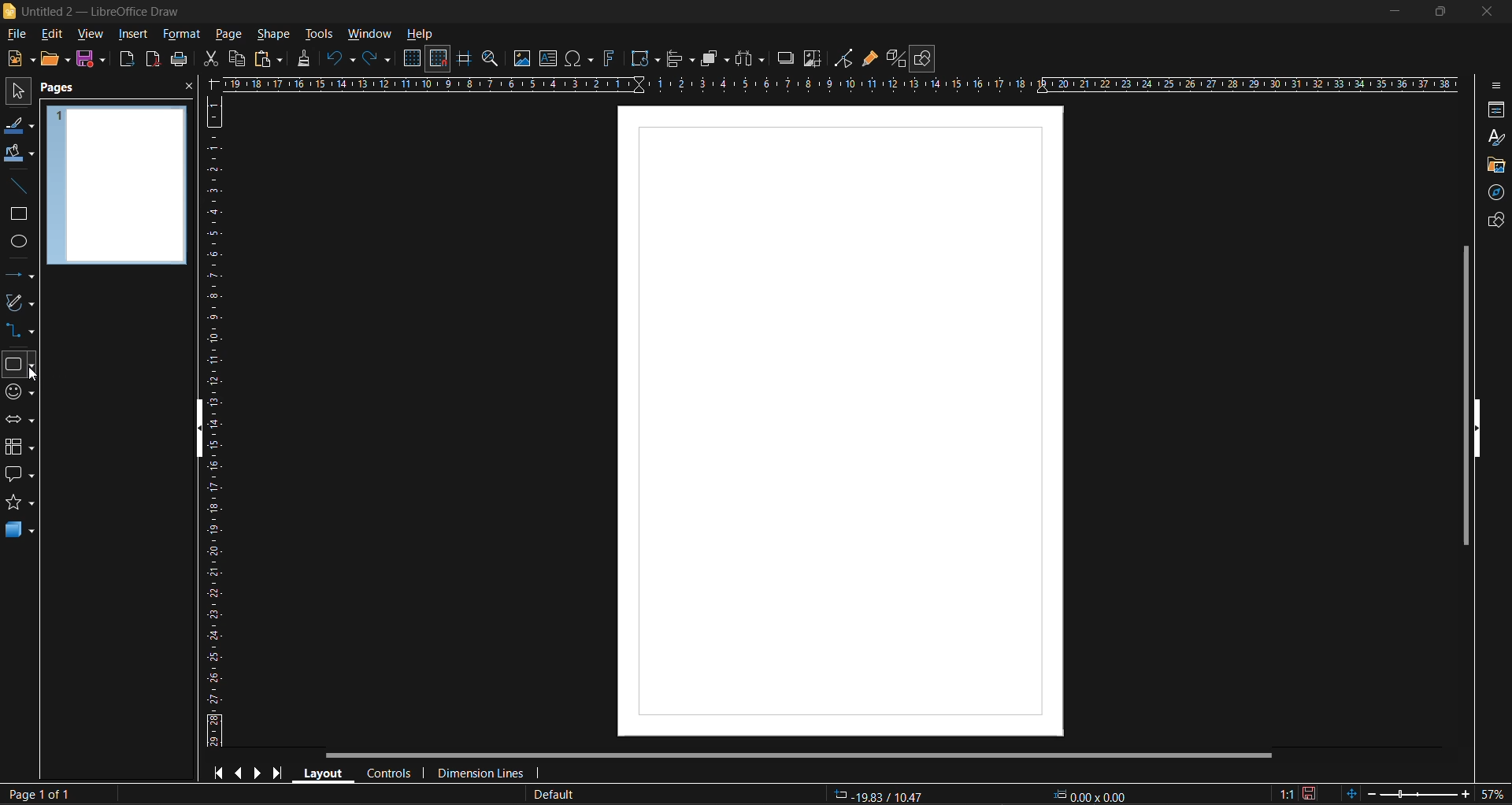  I want to click on page number, so click(36, 795).